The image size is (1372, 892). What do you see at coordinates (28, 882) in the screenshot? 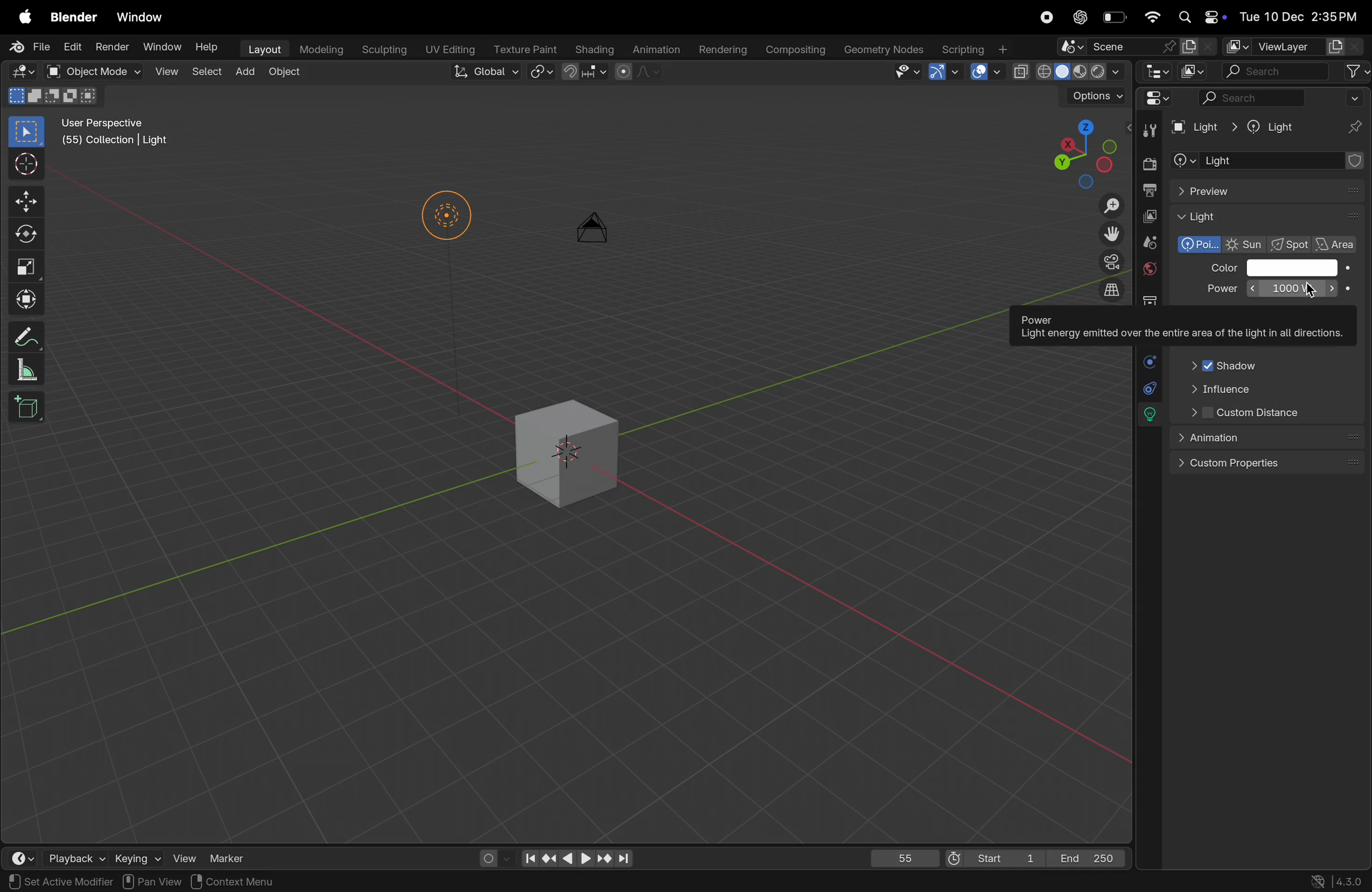
I see `select` at bounding box center [28, 882].